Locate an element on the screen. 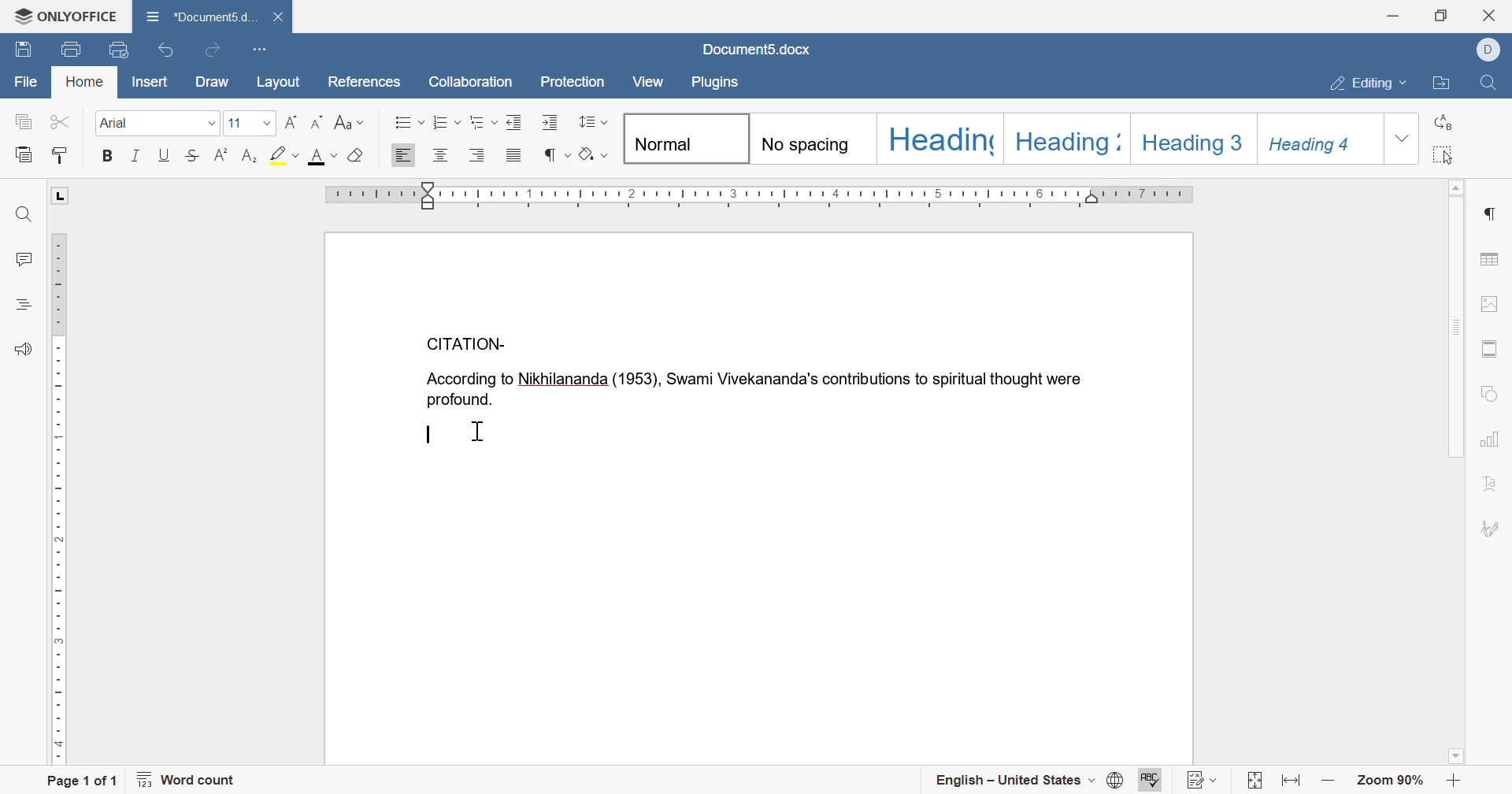 The height and width of the screenshot is (794, 1512). No spacing is located at coordinates (817, 139).